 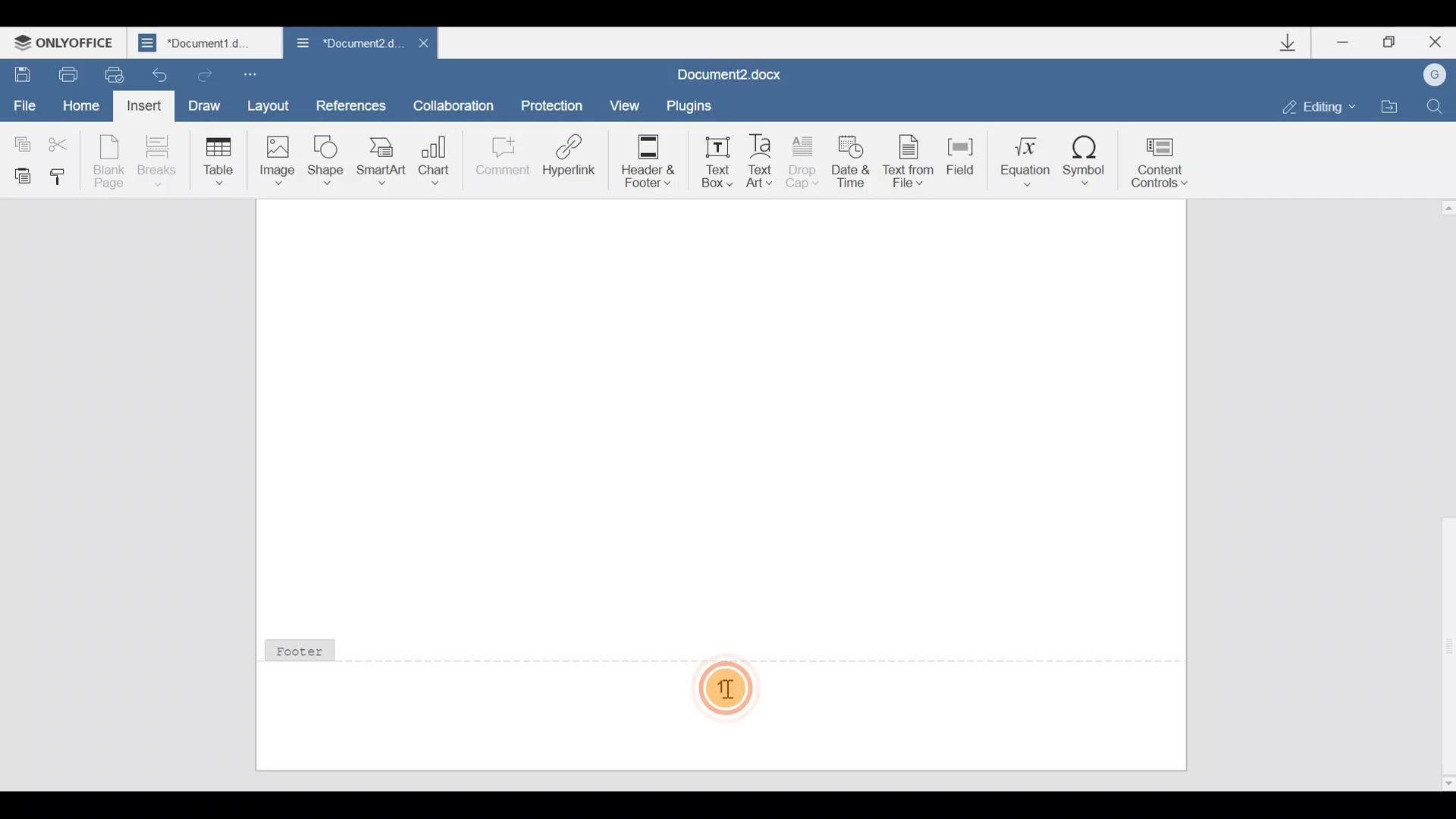 I want to click on Downloads, so click(x=1288, y=42).